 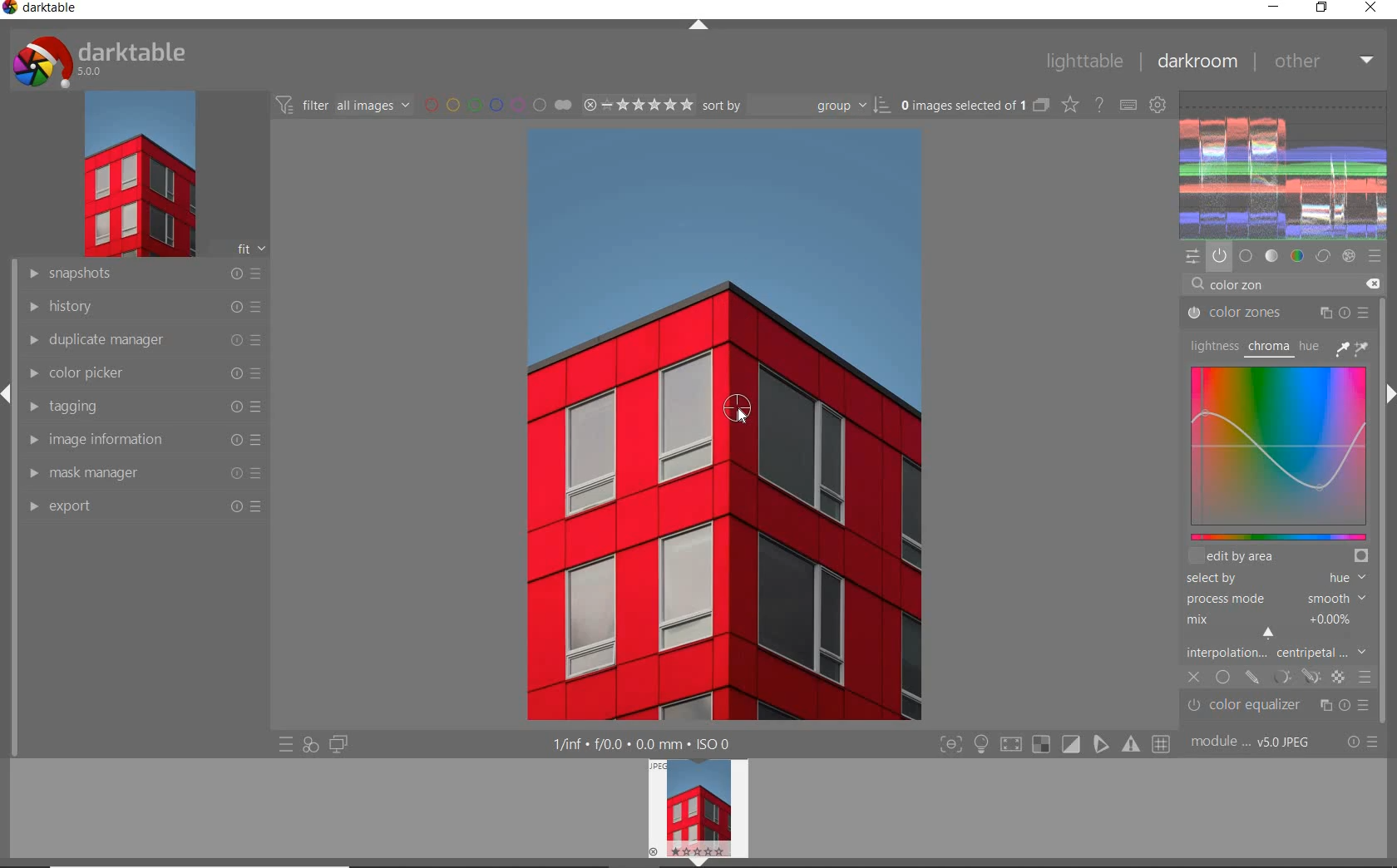 What do you see at coordinates (1272, 255) in the screenshot?
I see `tone` at bounding box center [1272, 255].